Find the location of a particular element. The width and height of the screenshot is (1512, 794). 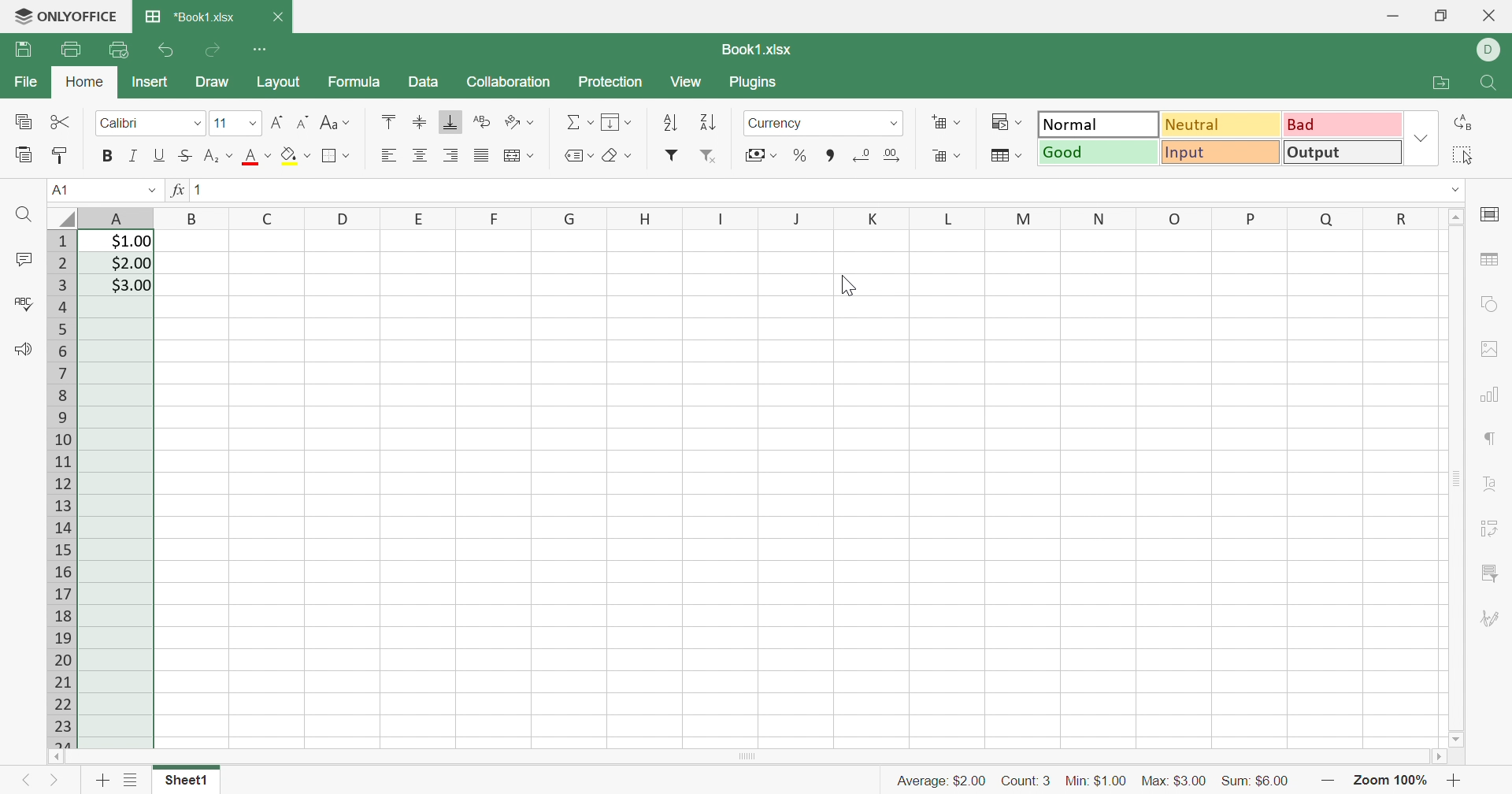

Find is located at coordinates (24, 214).